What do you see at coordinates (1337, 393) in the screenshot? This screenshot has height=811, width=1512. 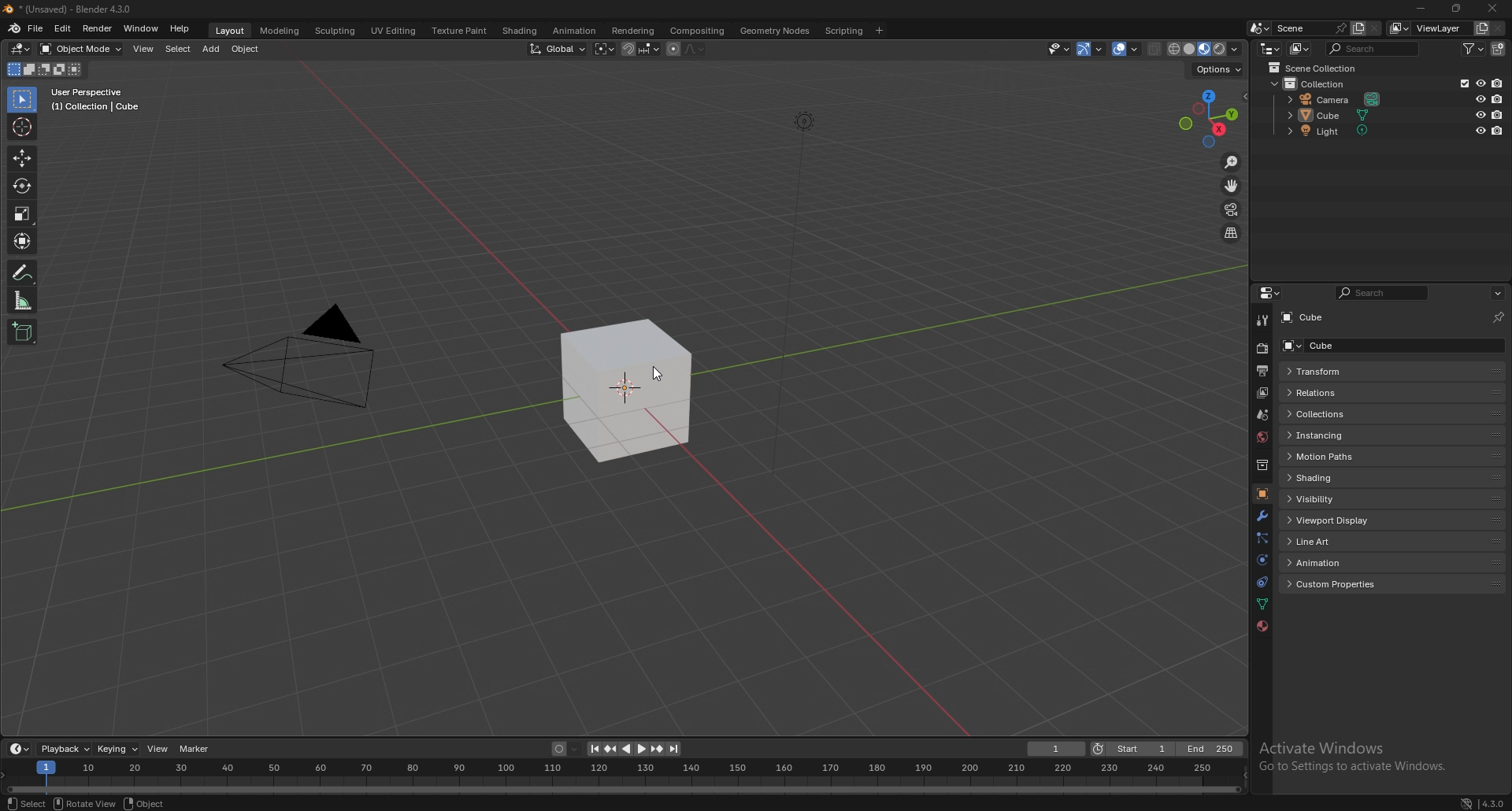 I see `relations` at bounding box center [1337, 393].